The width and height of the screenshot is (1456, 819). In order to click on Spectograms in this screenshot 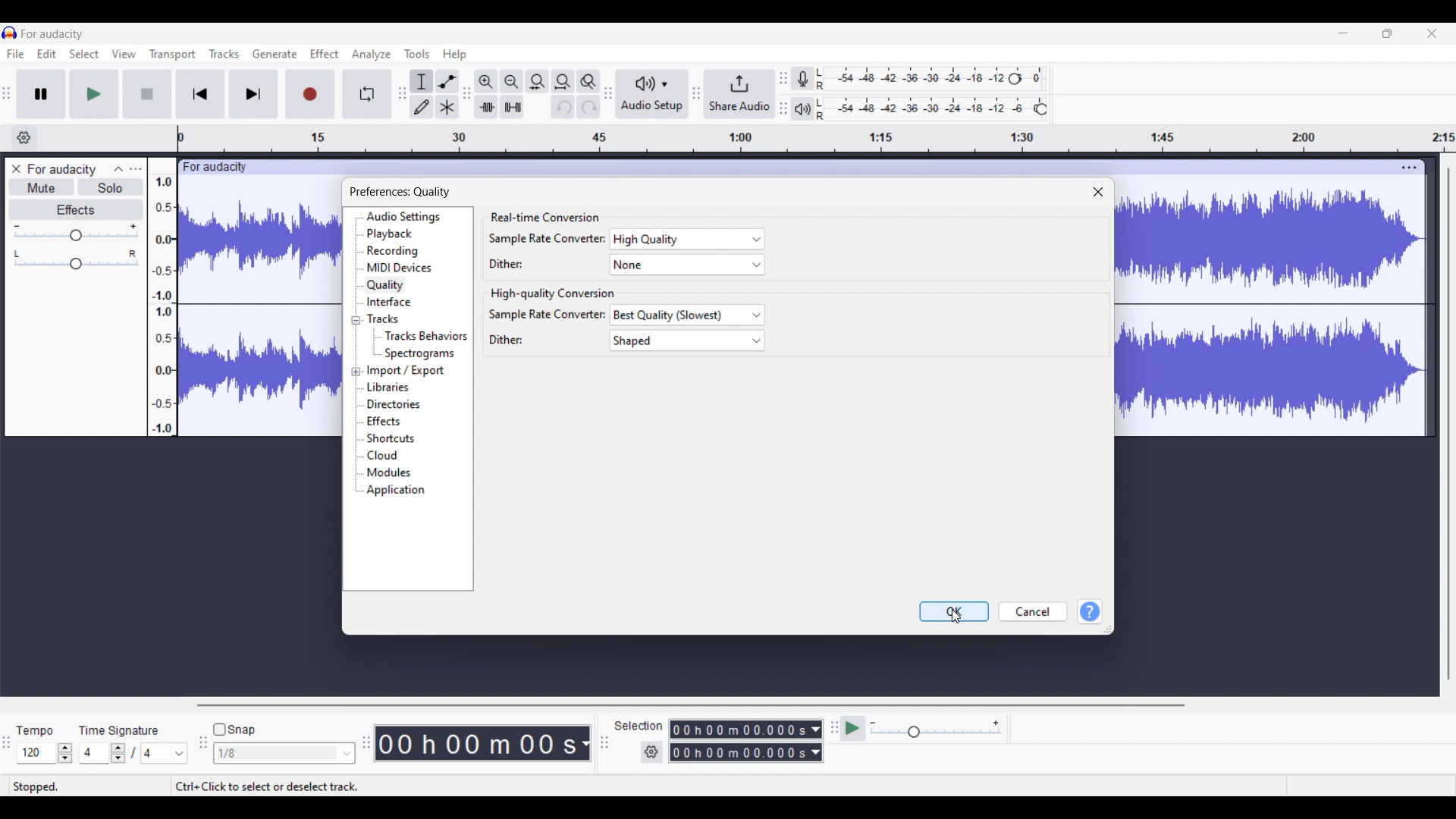, I will do `click(420, 354)`.